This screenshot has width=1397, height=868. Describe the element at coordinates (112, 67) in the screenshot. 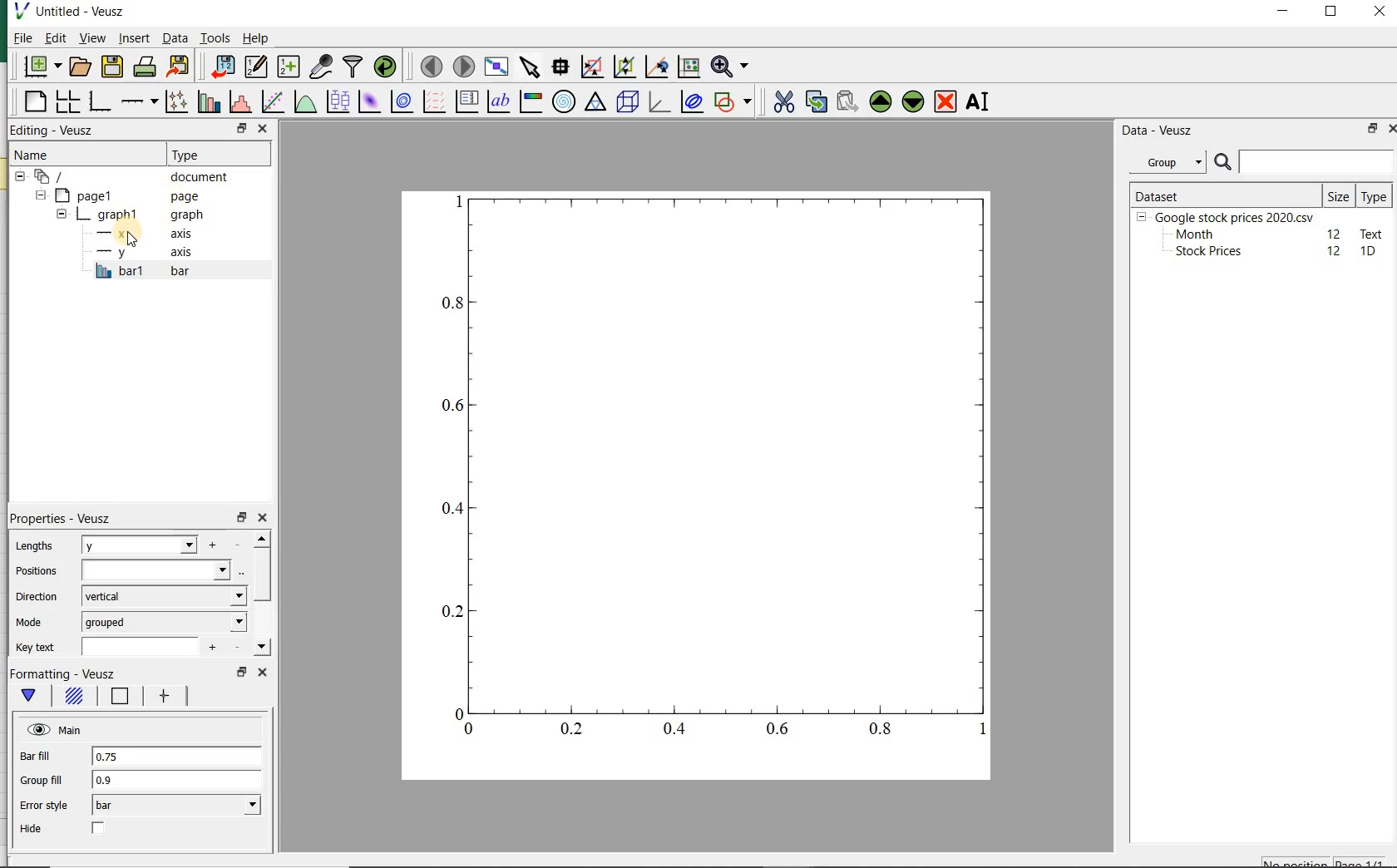

I see `save the document` at that location.